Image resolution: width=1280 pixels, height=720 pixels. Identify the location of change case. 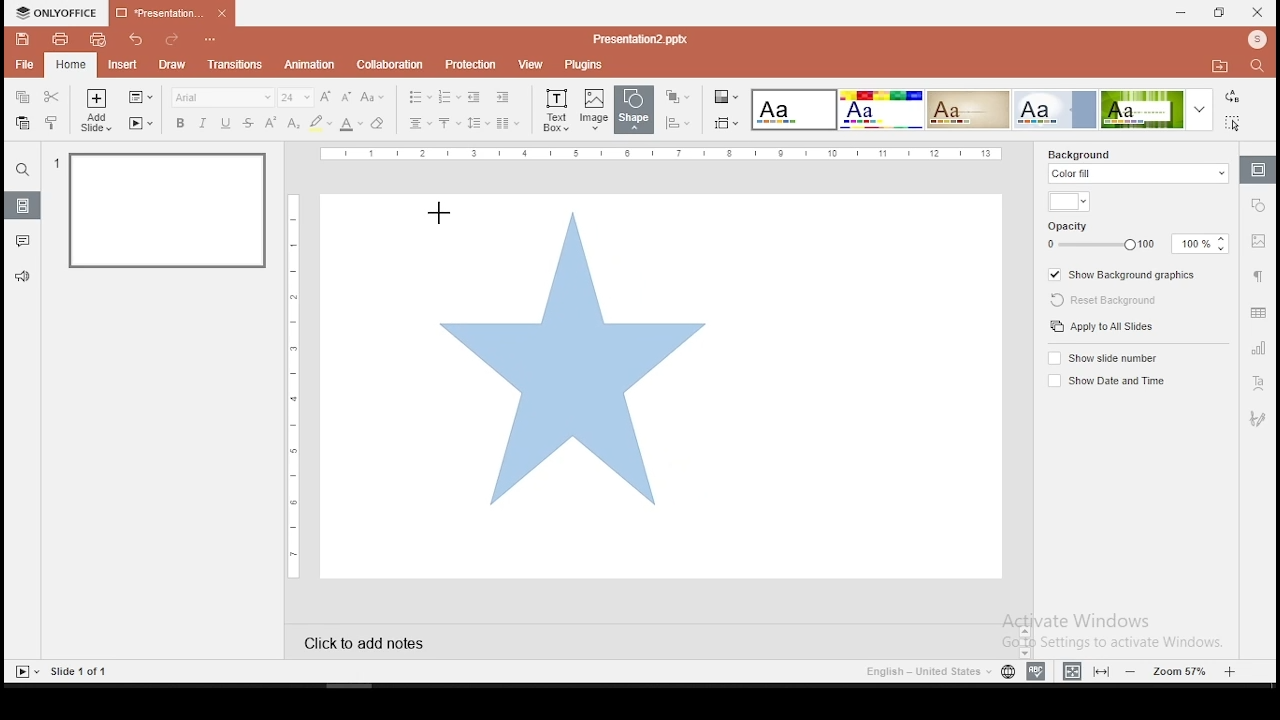
(373, 96).